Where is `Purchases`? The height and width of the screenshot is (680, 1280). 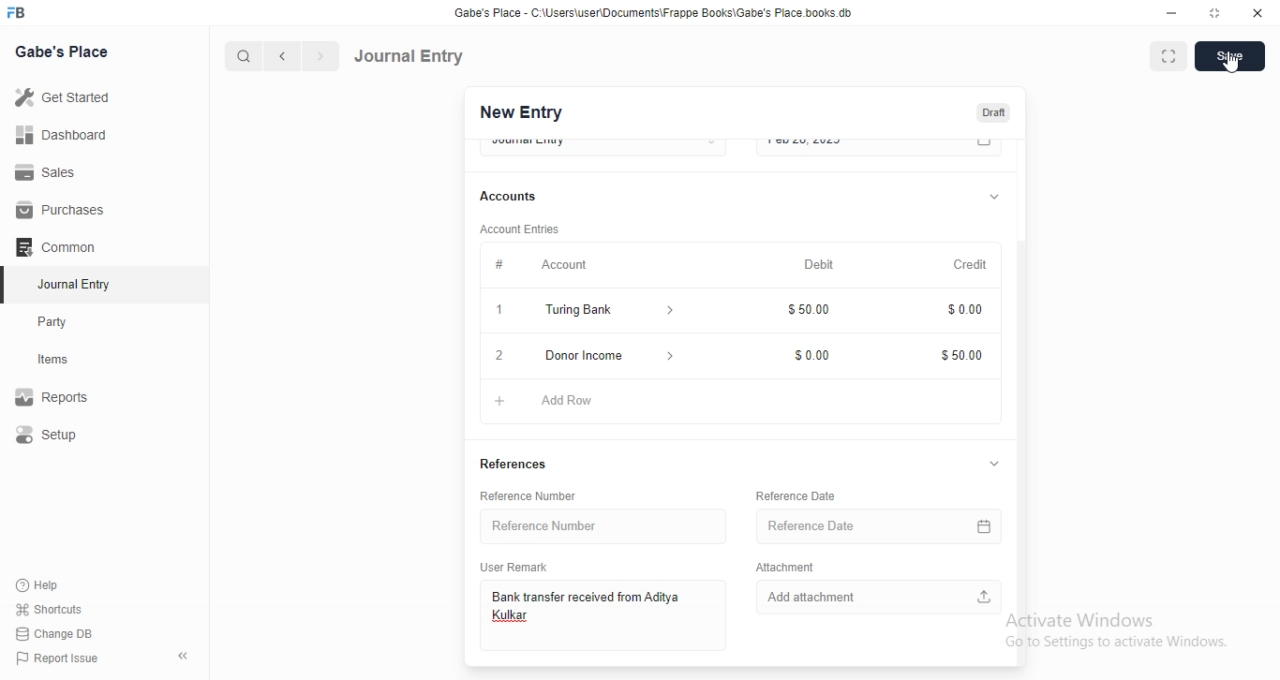 Purchases is located at coordinates (63, 210).